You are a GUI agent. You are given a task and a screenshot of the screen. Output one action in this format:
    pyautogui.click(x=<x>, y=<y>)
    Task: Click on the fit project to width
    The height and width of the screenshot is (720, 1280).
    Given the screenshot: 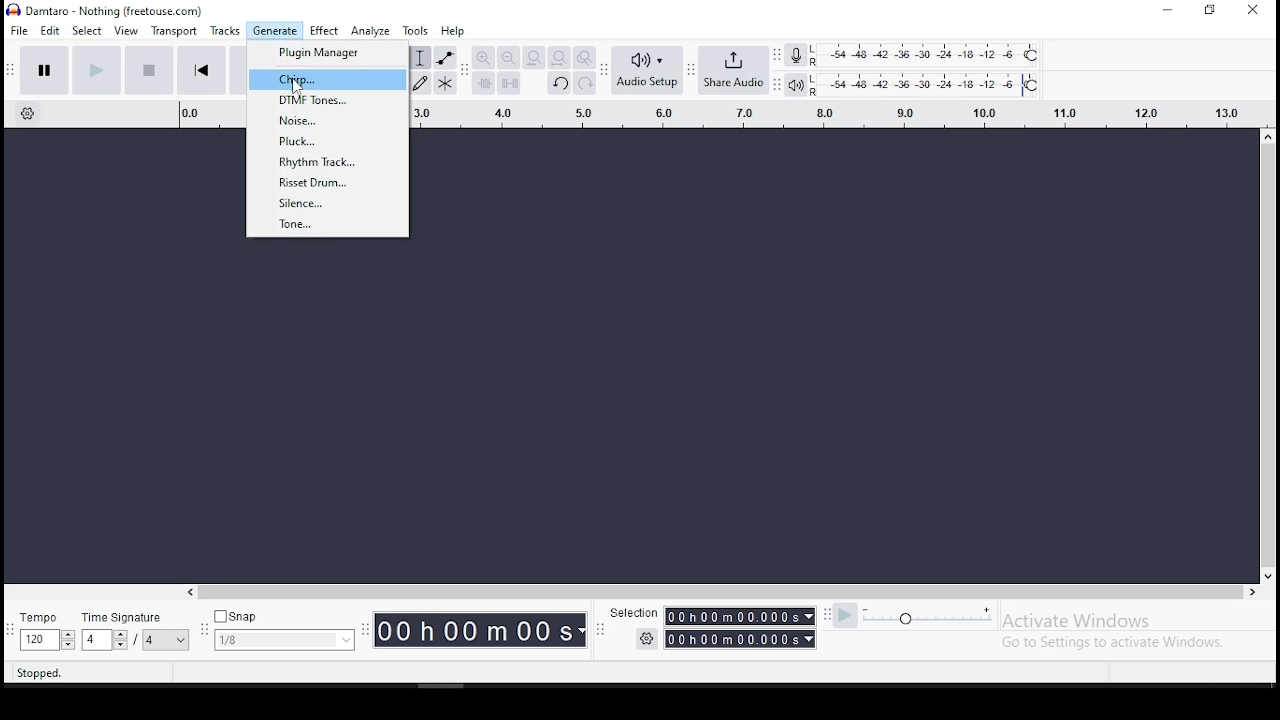 What is the action you would take?
    pyautogui.click(x=558, y=57)
    